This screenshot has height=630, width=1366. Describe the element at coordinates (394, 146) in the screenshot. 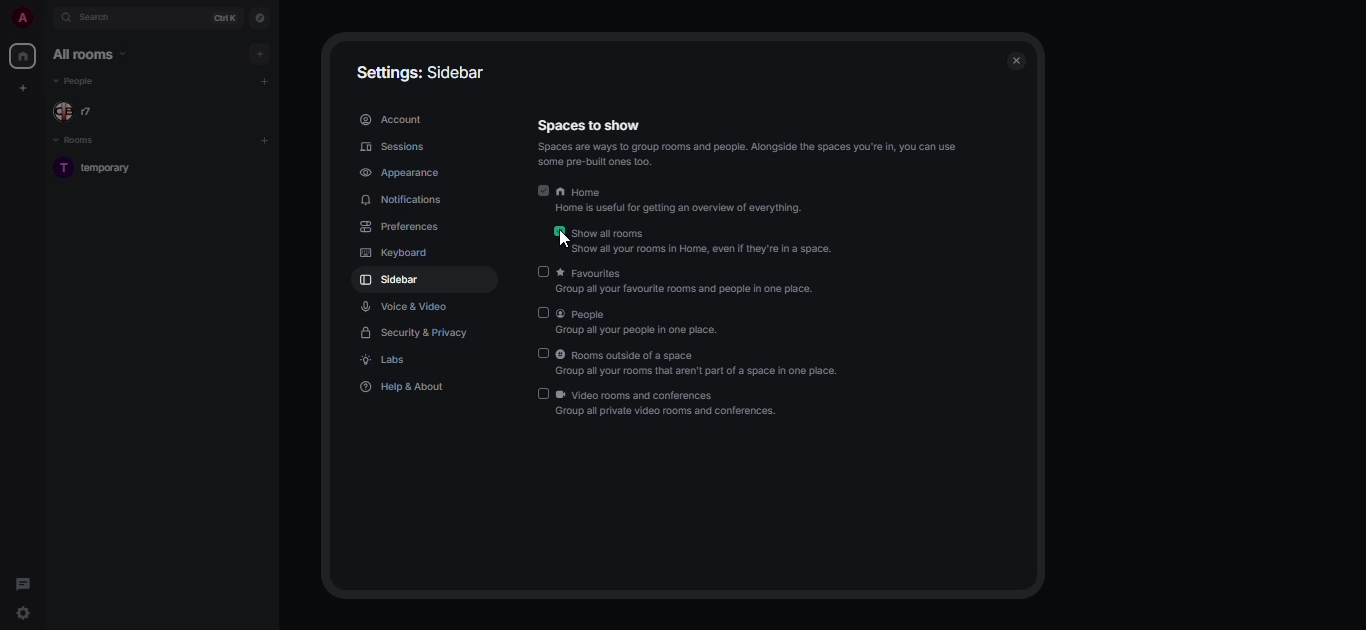

I see `sessions` at that location.